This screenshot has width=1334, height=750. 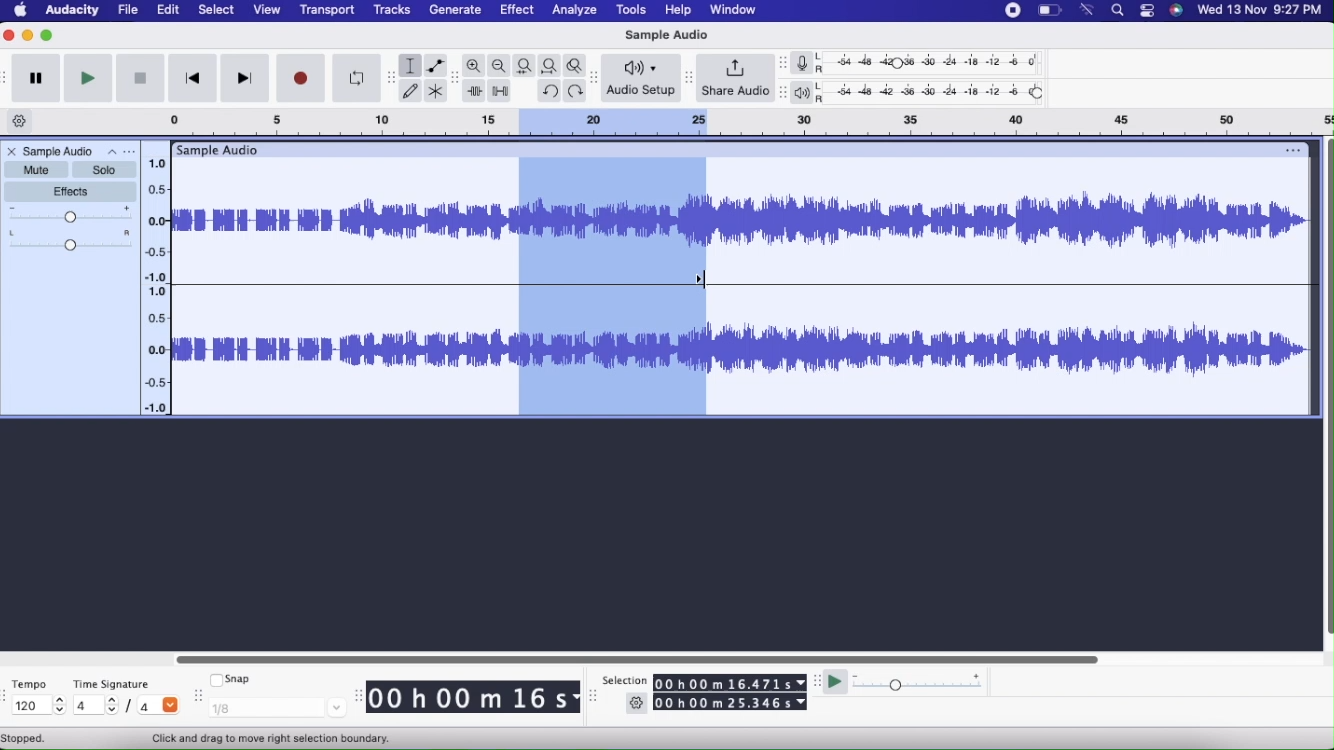 I want to click on Click and drag to define a looping region, so click(x=725, y=121).